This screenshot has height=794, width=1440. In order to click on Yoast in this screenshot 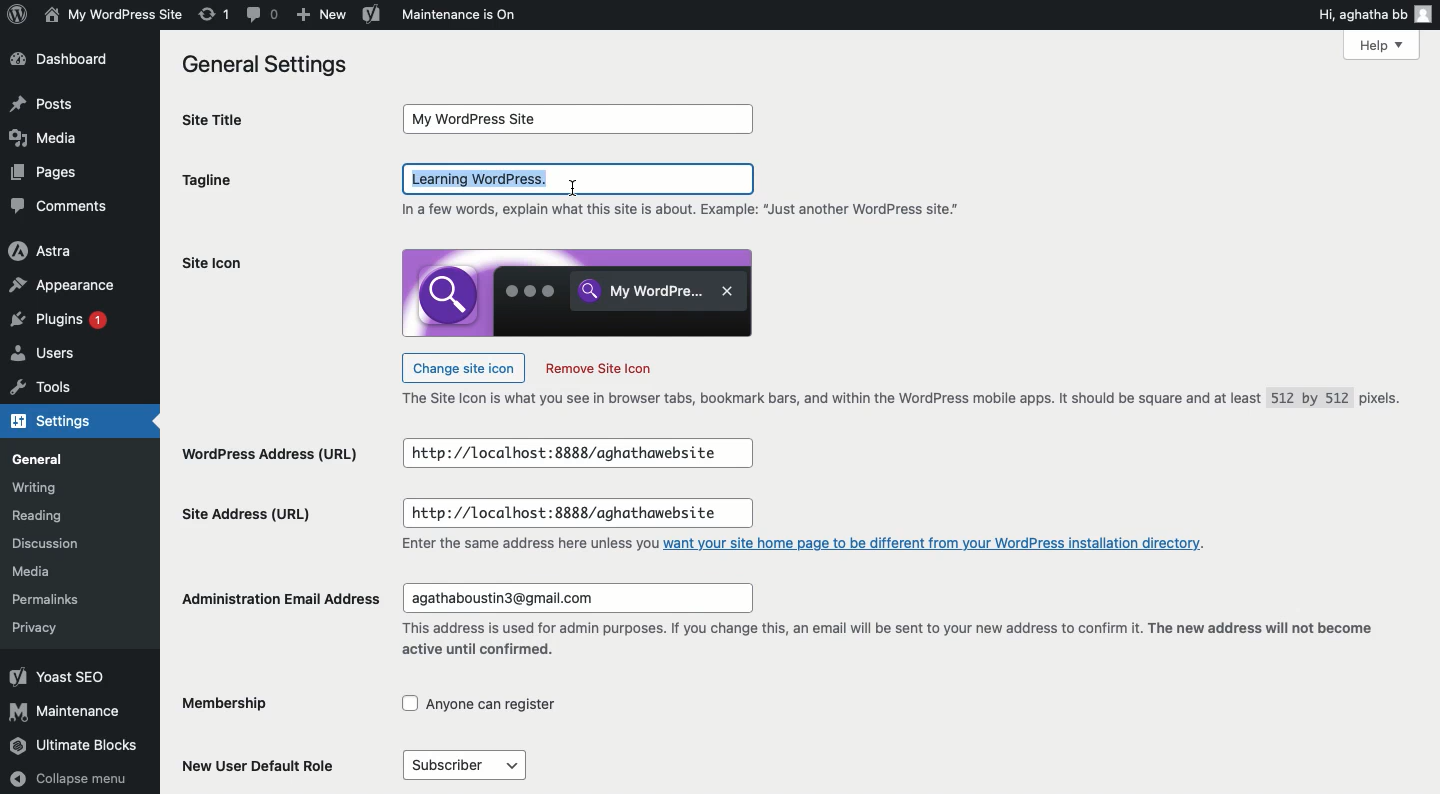, I will do `click(372, 13)`.